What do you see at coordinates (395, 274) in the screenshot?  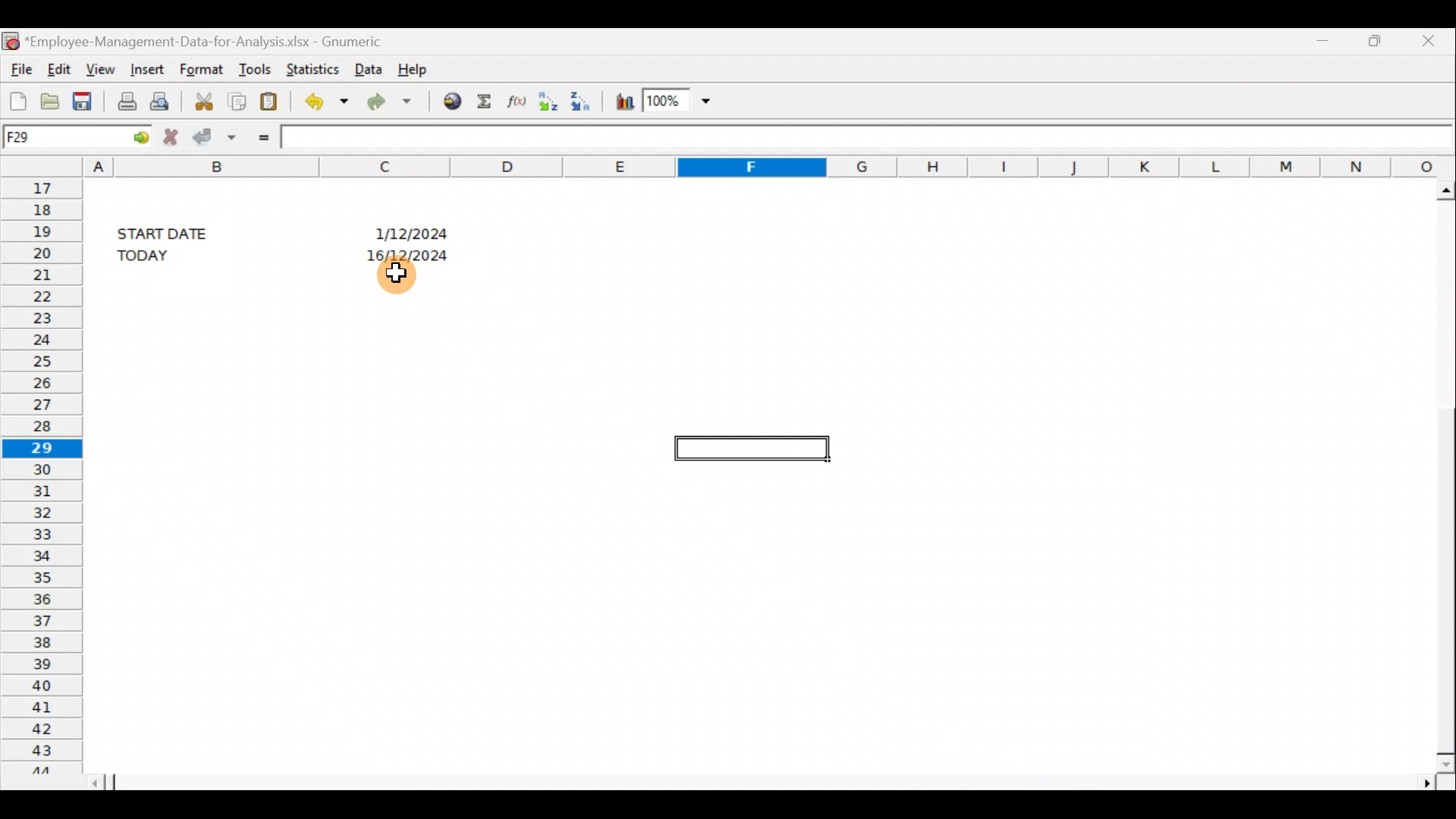 I see `Cursor hovering on cell C21` at bounding box center [395, 274].